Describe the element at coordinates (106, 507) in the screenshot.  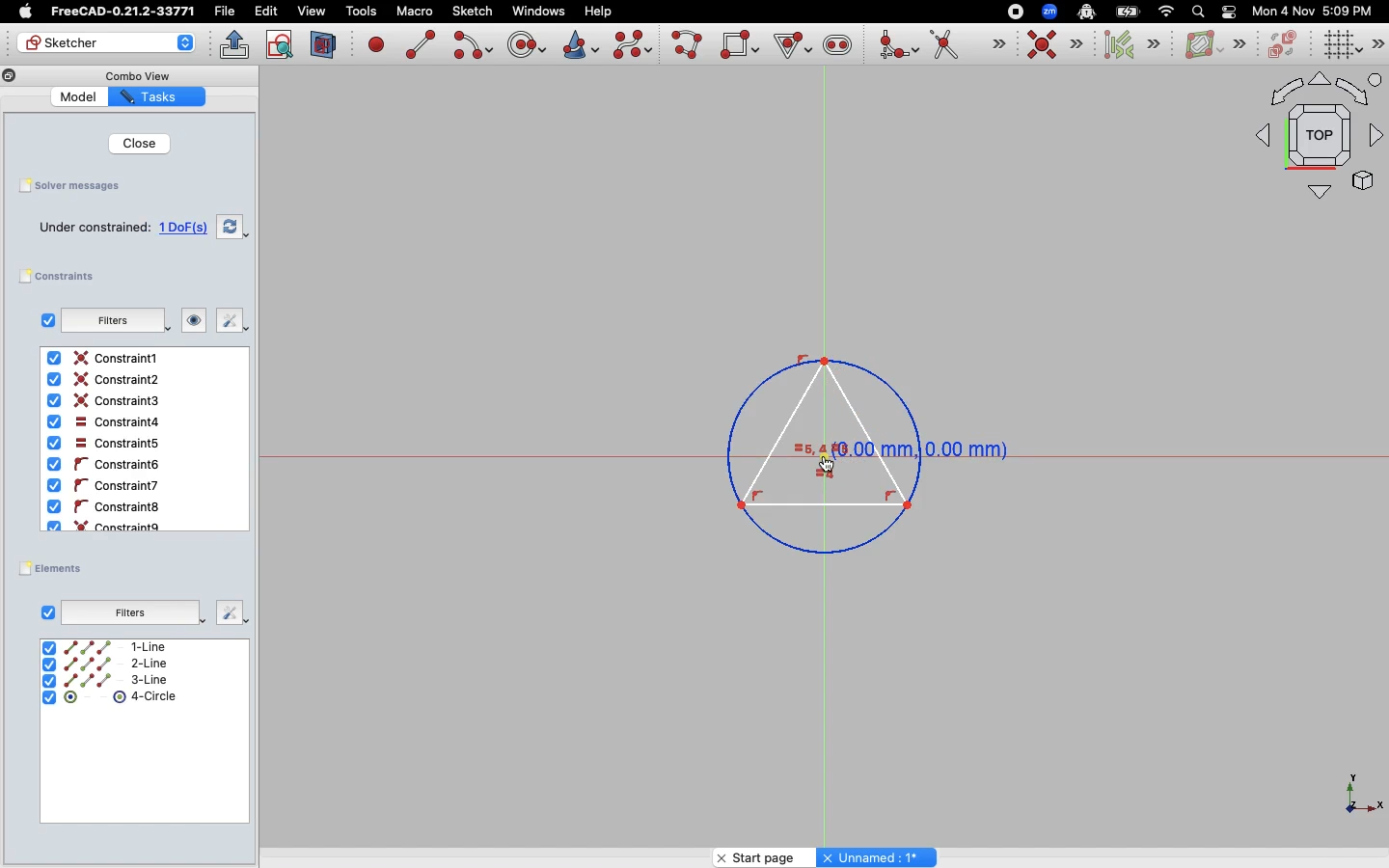
I see `Constraint8` at that location.